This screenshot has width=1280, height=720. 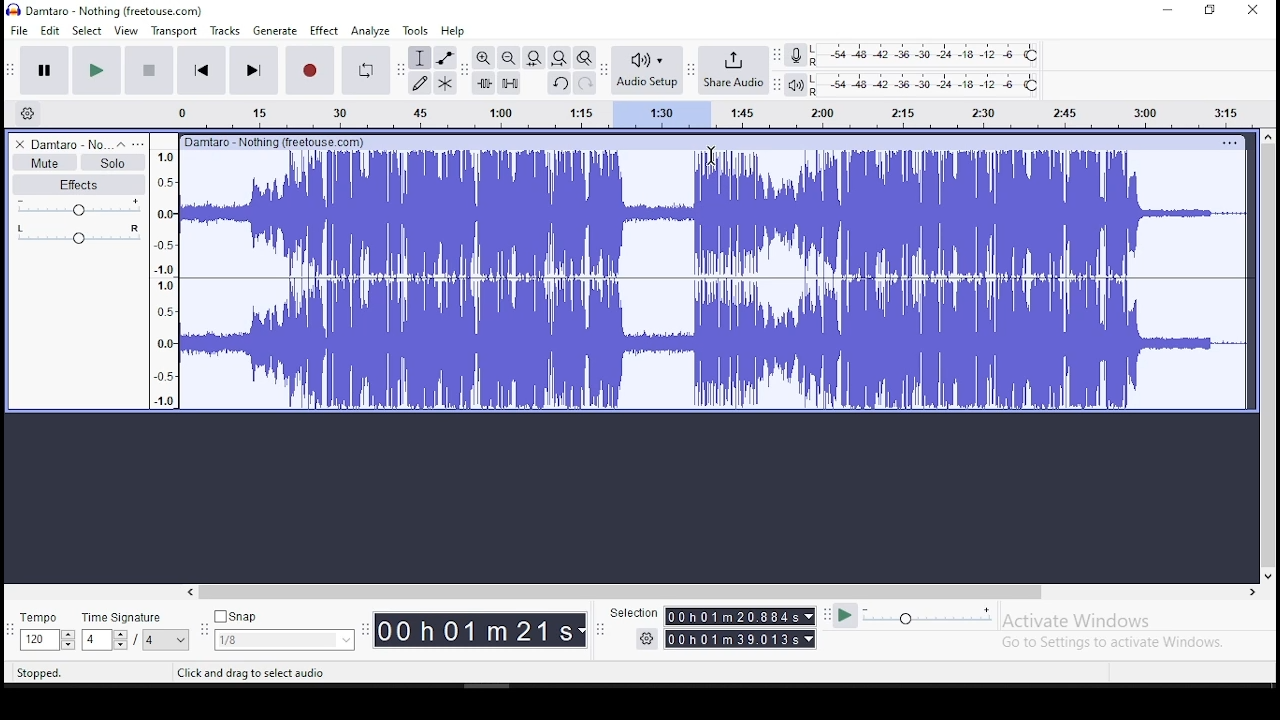 What do you see at coordinates (1267, 573) in the screenshot?
I see `down` at bounding box center [1267, 573].